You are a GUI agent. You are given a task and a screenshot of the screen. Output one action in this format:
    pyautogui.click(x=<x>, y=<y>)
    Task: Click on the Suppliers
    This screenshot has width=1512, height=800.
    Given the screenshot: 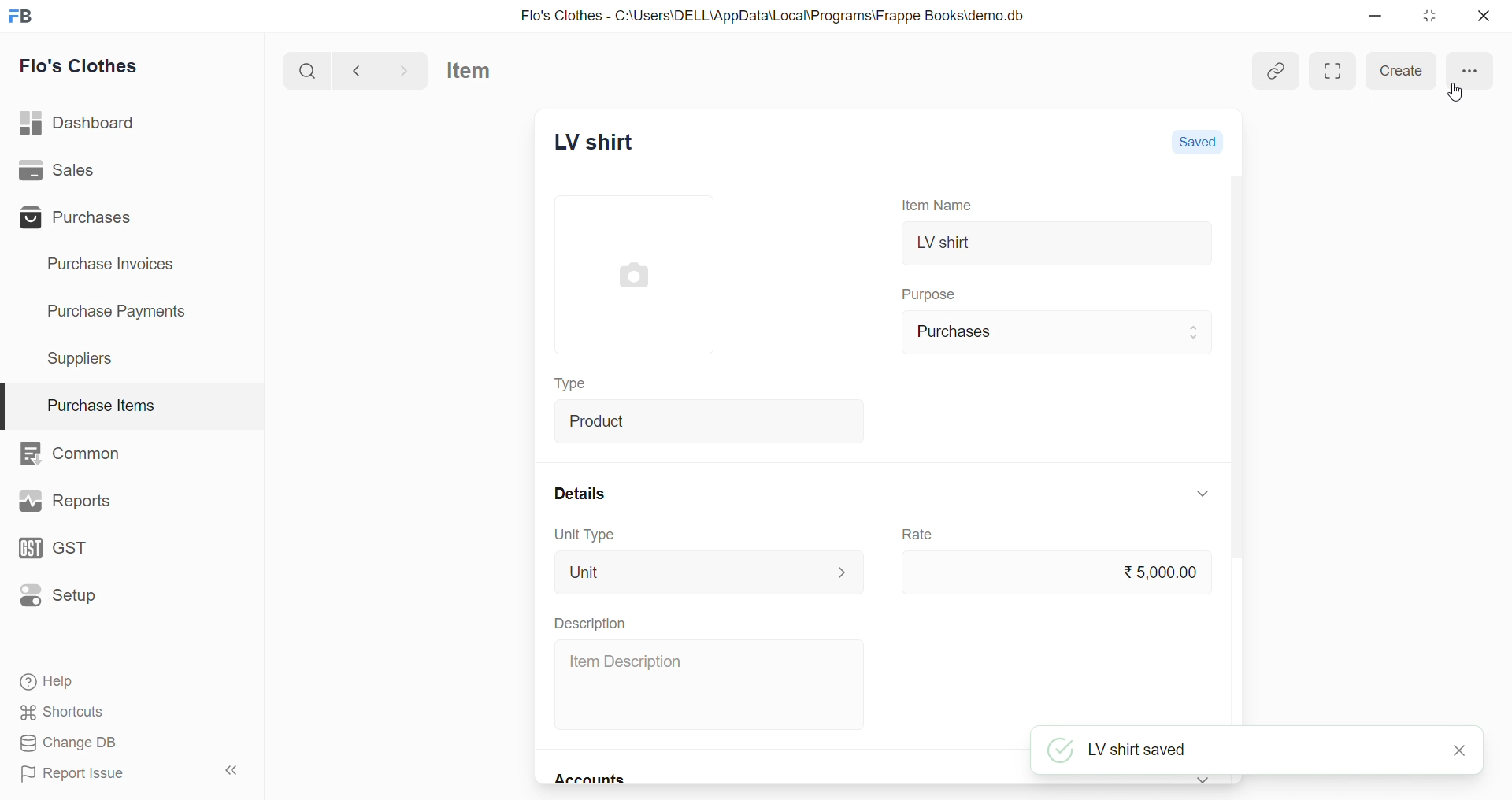 What is the action you would take?
    pyautogui.click(x=87, y=357)
    